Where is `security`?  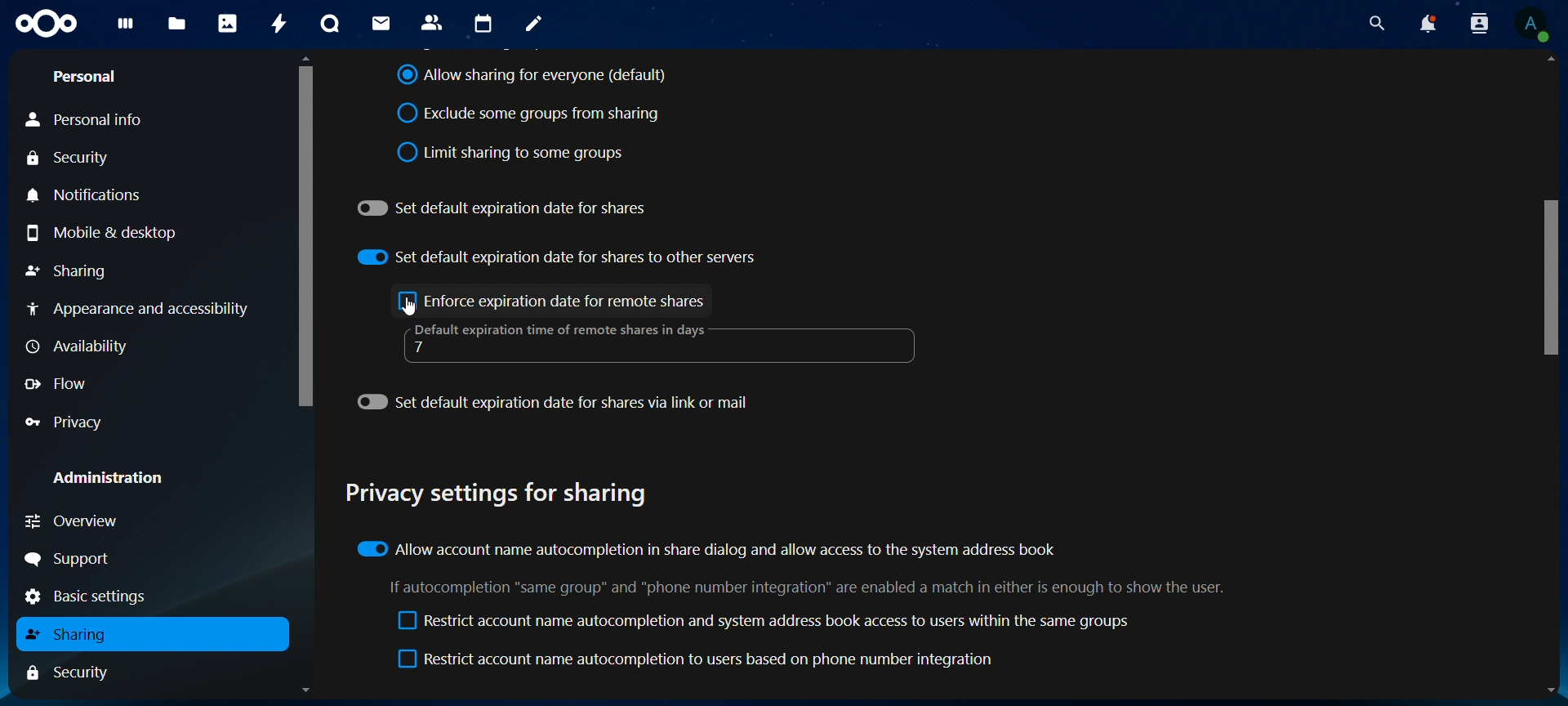 security is located at coordinates (78, 672).